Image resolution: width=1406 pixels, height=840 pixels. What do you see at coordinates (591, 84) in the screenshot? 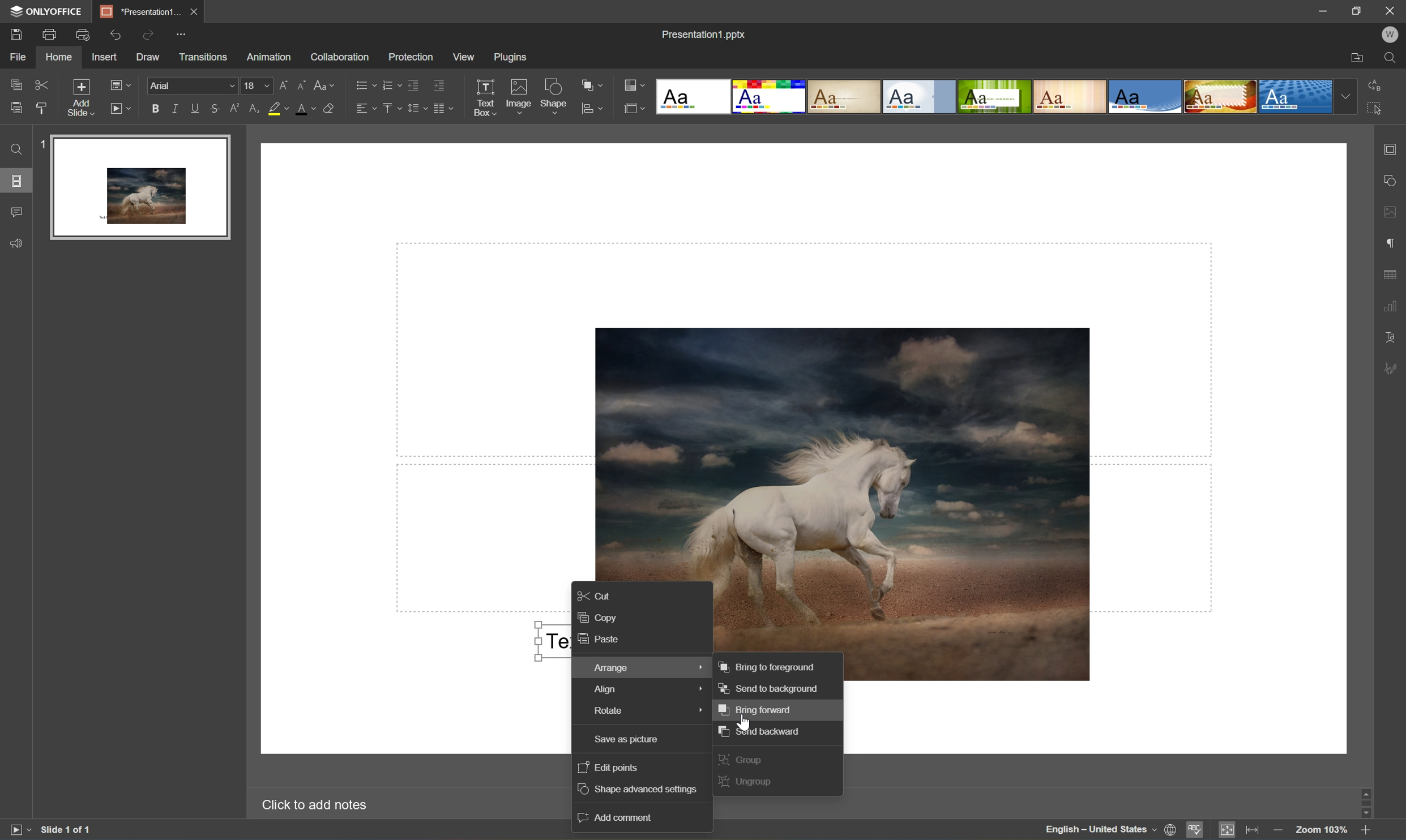
I see `Arrange shapes` at bounding box center [591, 84].